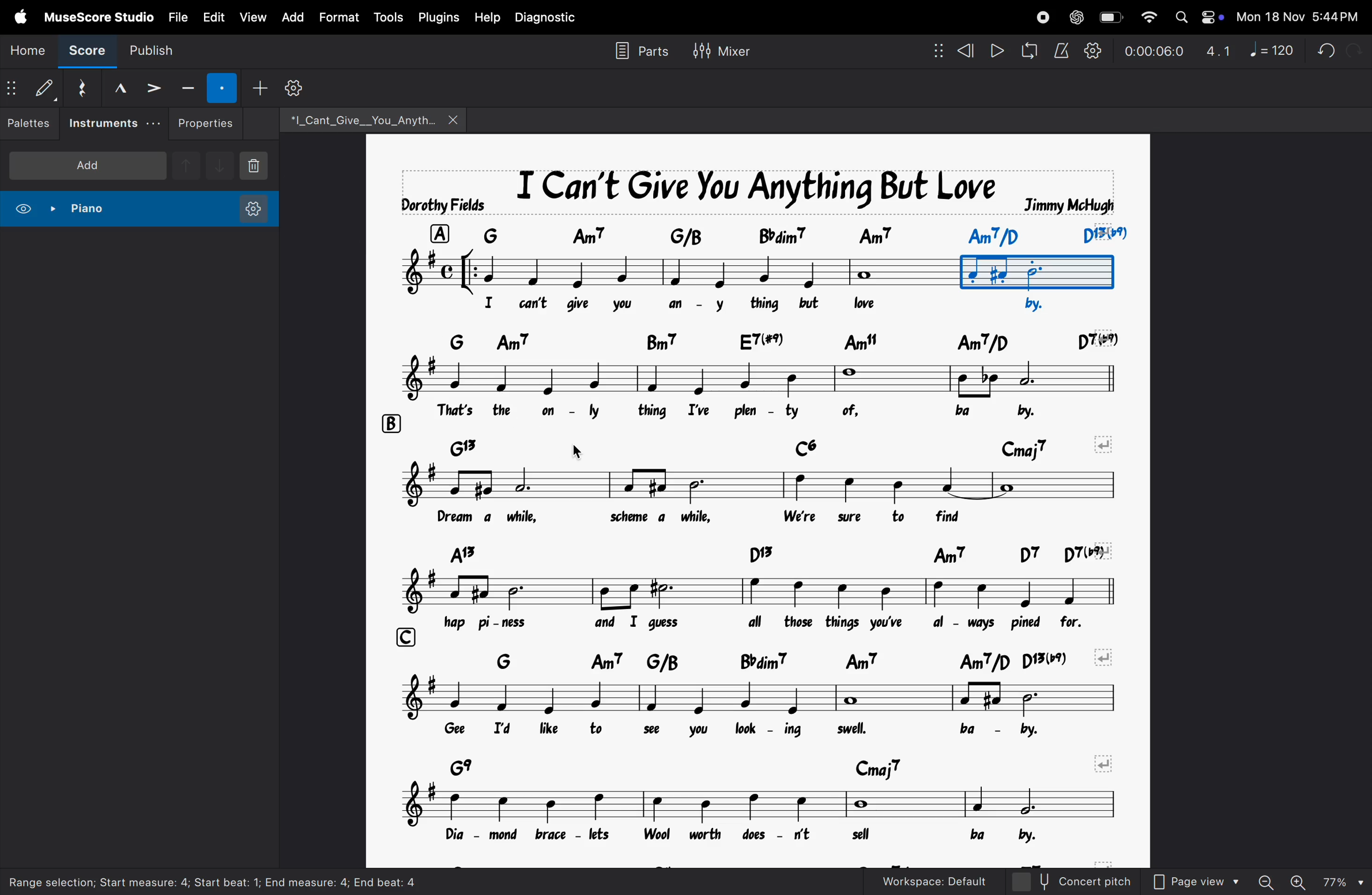 This screenshot has height=895, width=1372. Describe the element at coordinates (25, 52) in the screenshot. I see `home` at that location.